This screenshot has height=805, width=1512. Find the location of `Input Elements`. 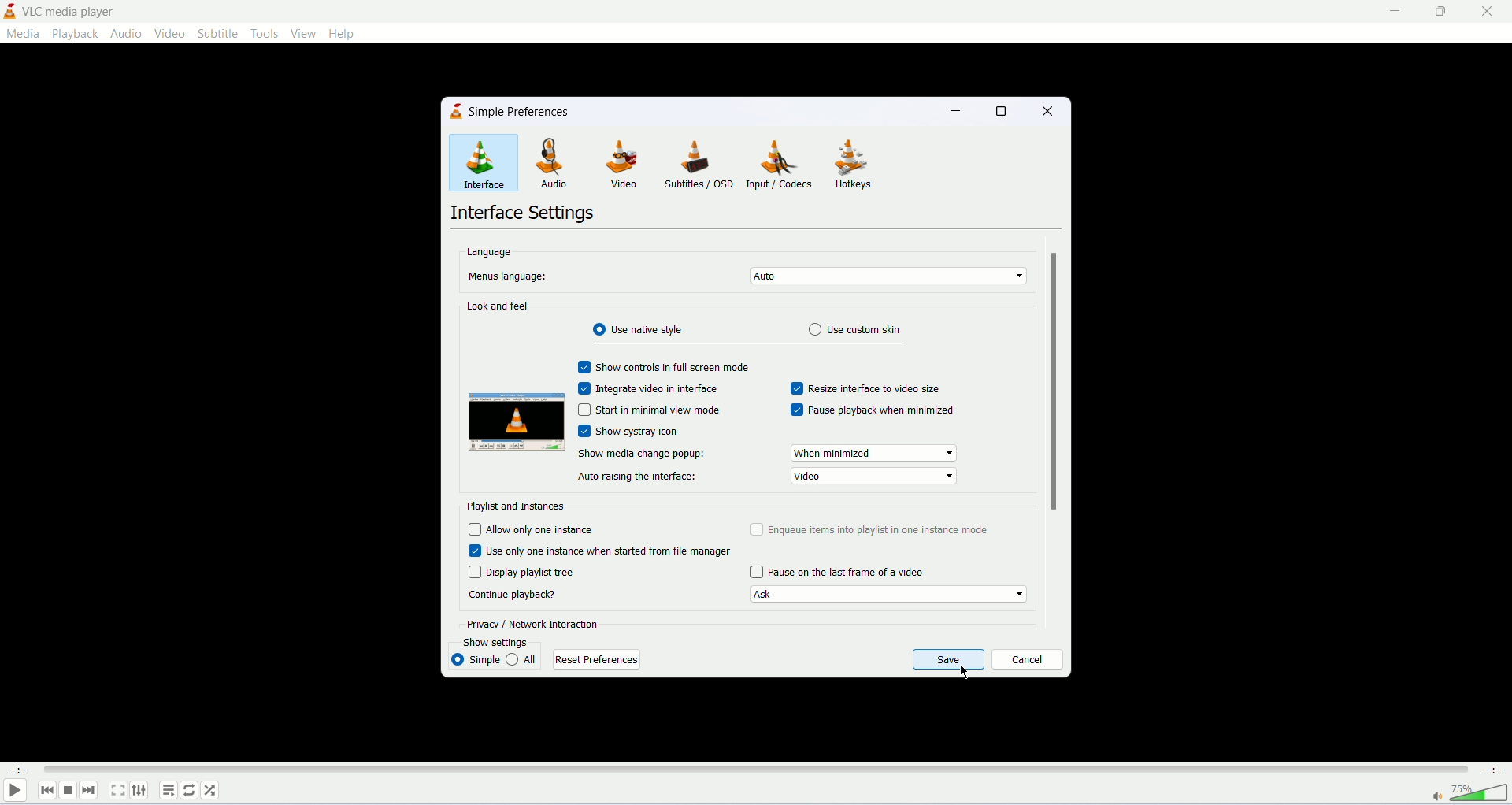

Input Elements is located at coordinates (584, 410).